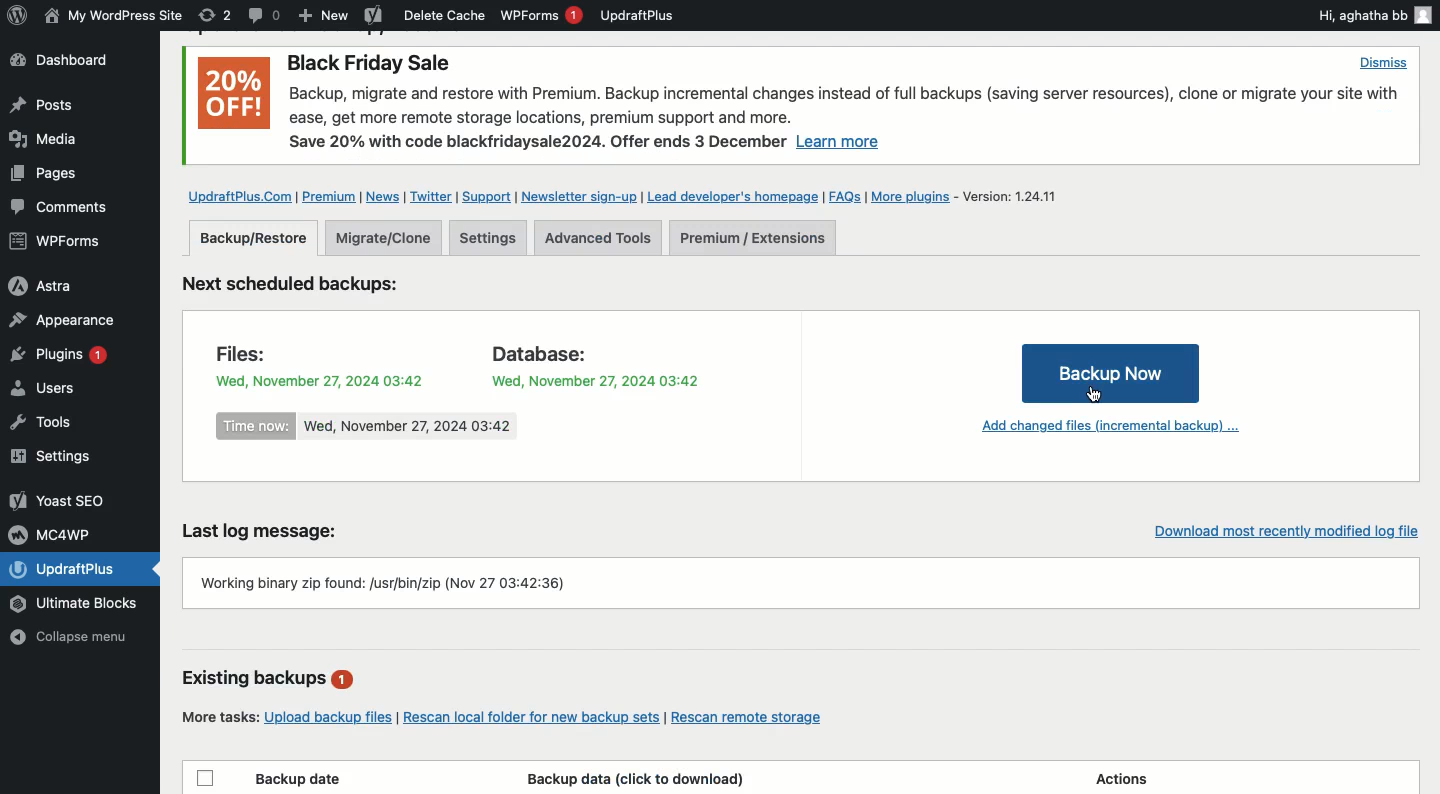 This screenshot has width=1440, height=794. I want to click on Astra, so click(57, 284).